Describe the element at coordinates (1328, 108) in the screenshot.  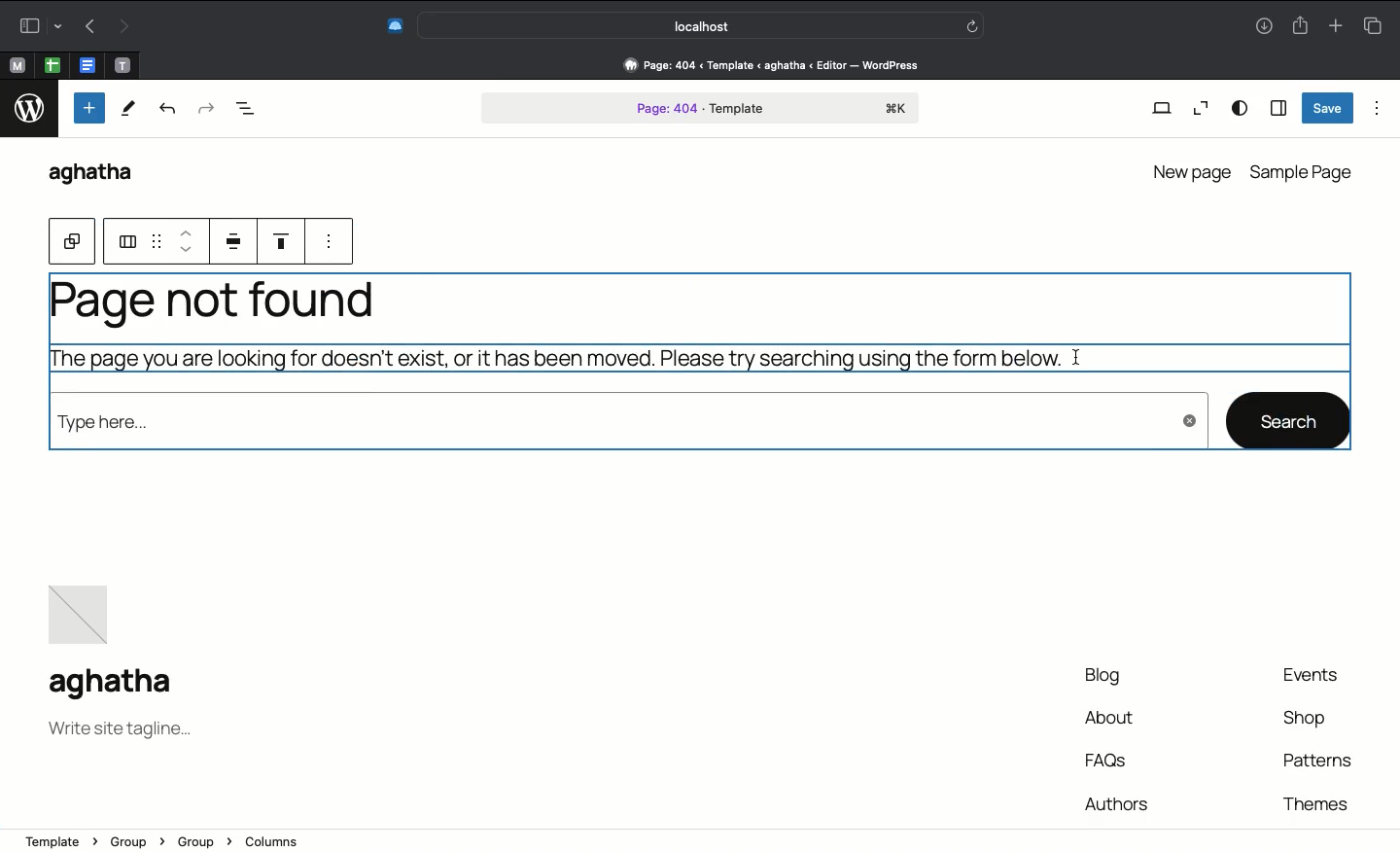
I see `Save` at that location.